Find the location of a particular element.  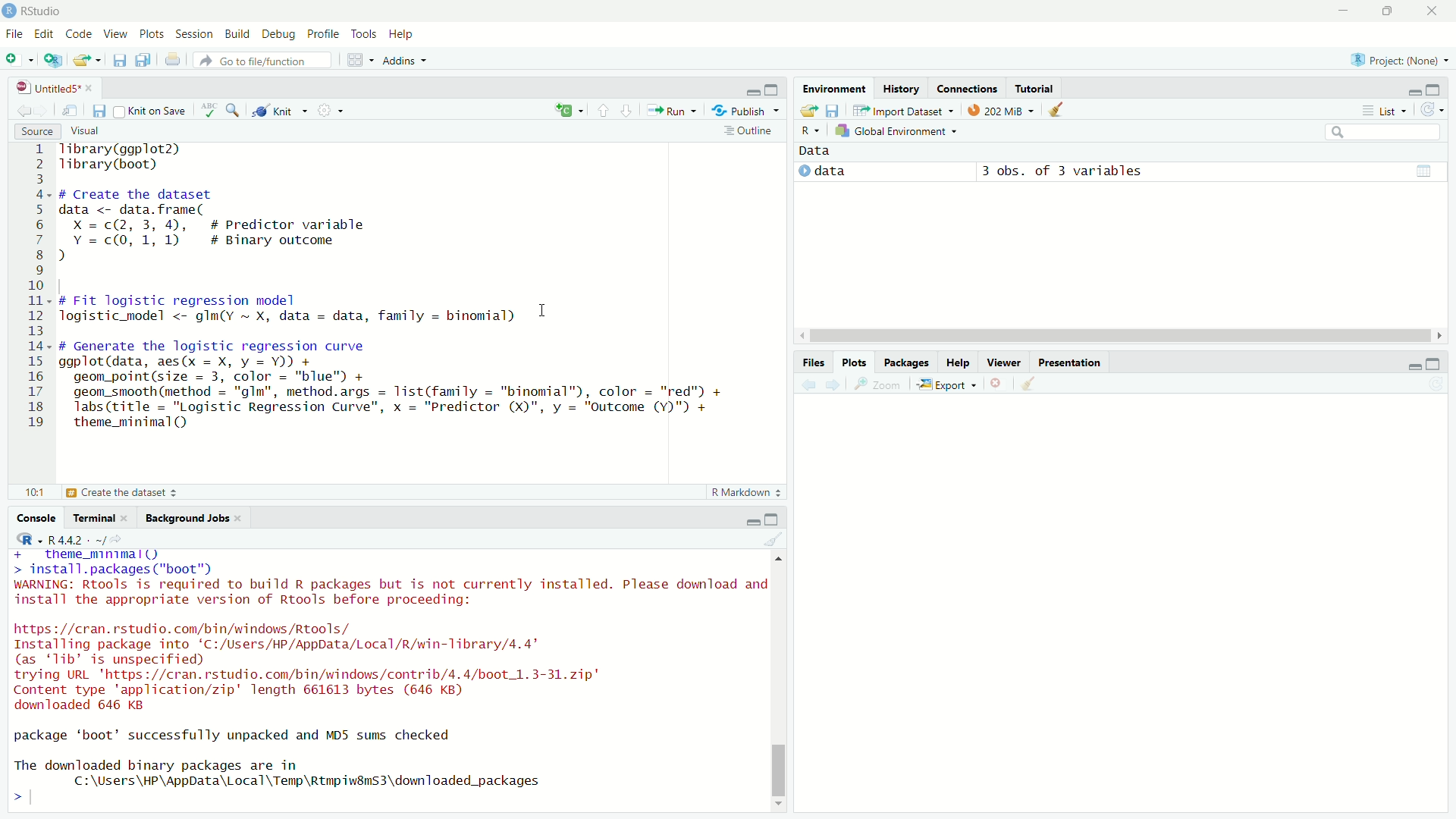

minimize is located at coordinates (1413, 367).